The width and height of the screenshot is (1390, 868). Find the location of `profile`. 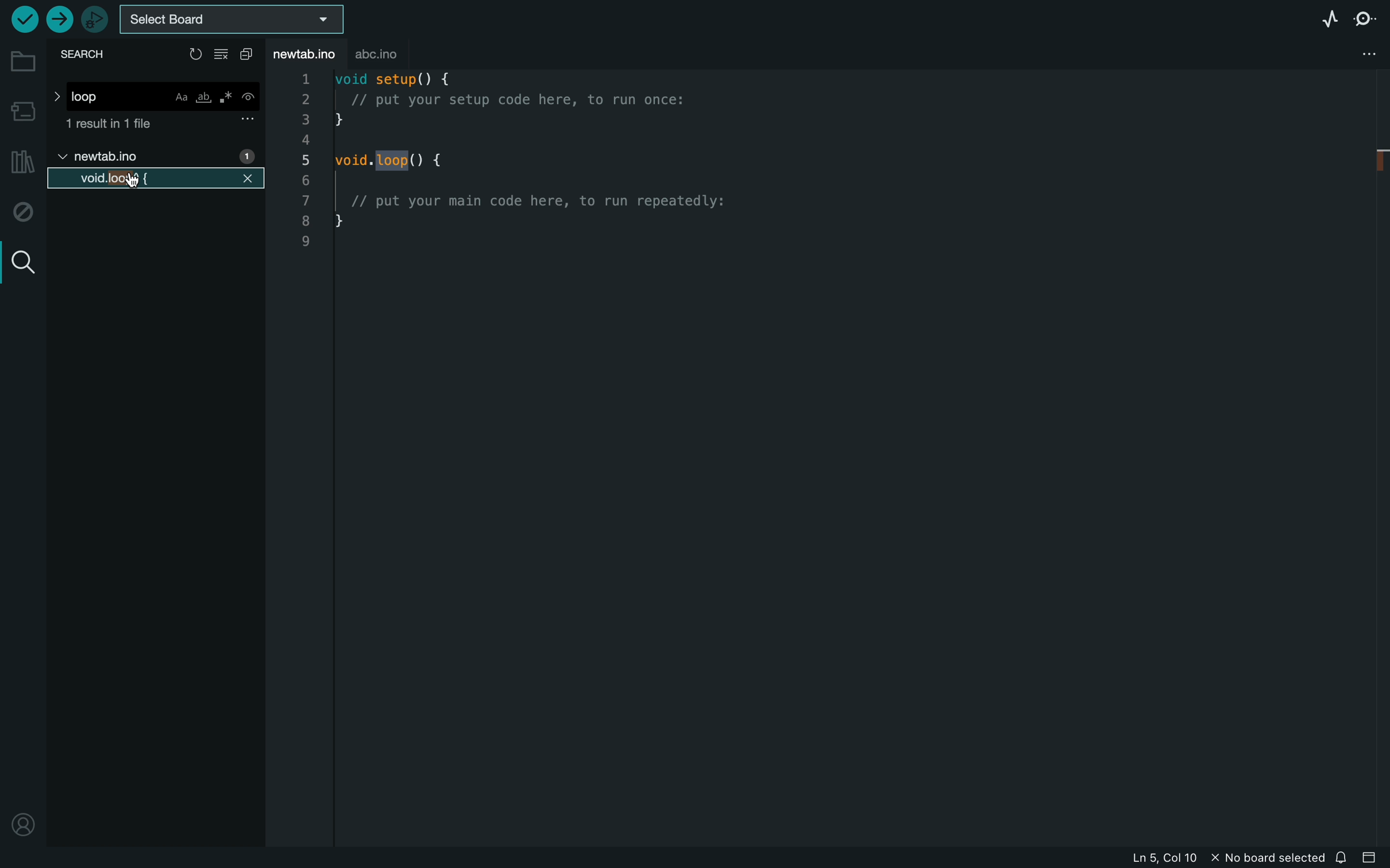

profile is located at coordinates (21, 824).